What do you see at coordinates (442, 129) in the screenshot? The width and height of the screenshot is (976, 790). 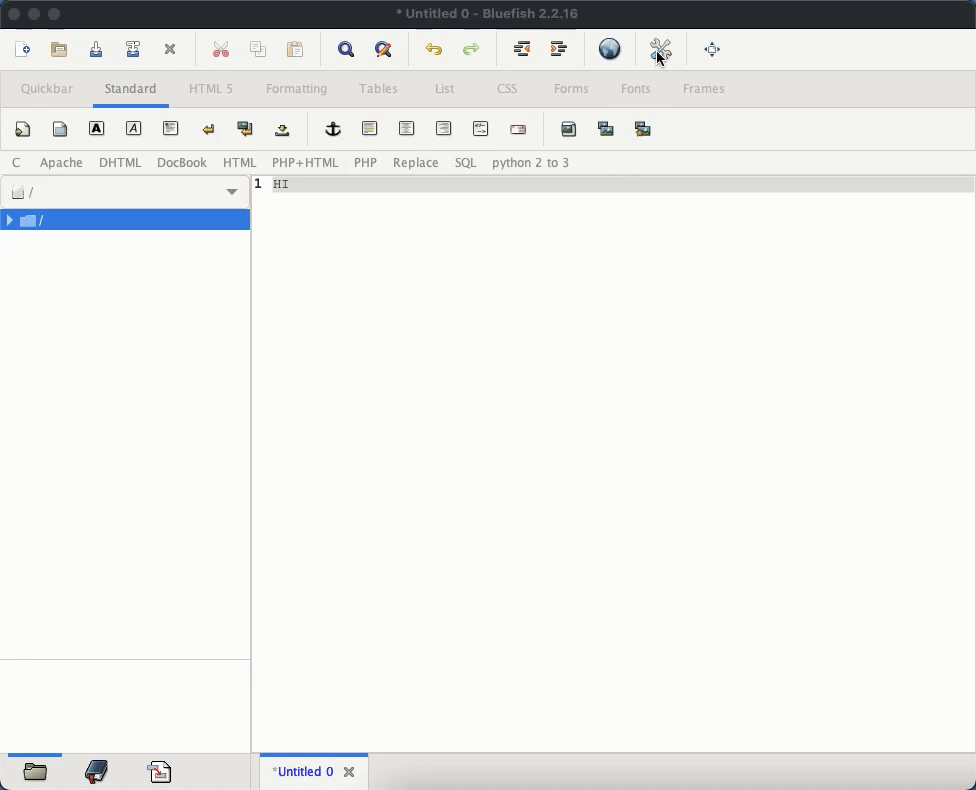 I see `right justify` at bounding box center [442, 129].